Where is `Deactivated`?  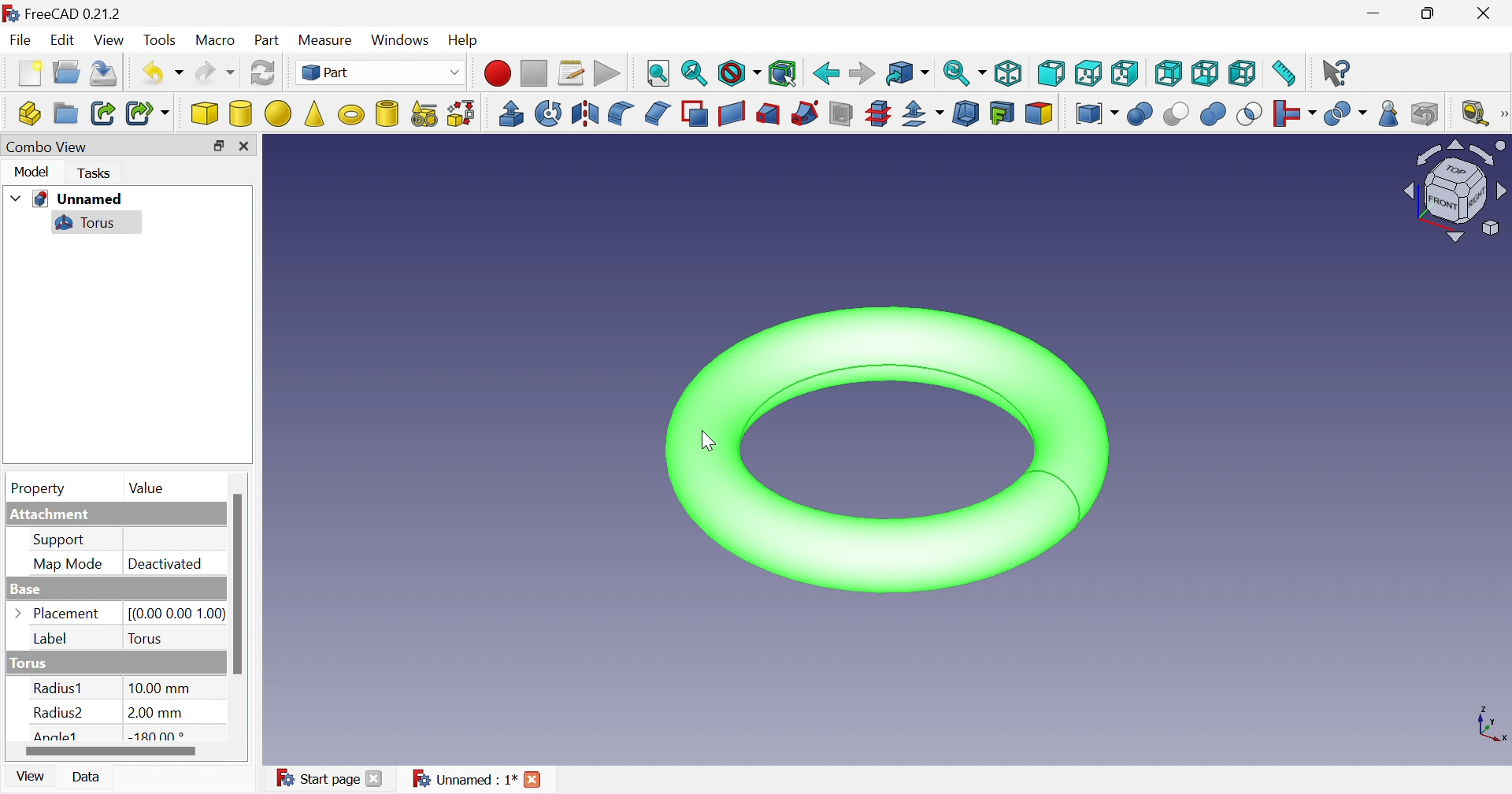
Deactivated is located at coordinates (168, 565).